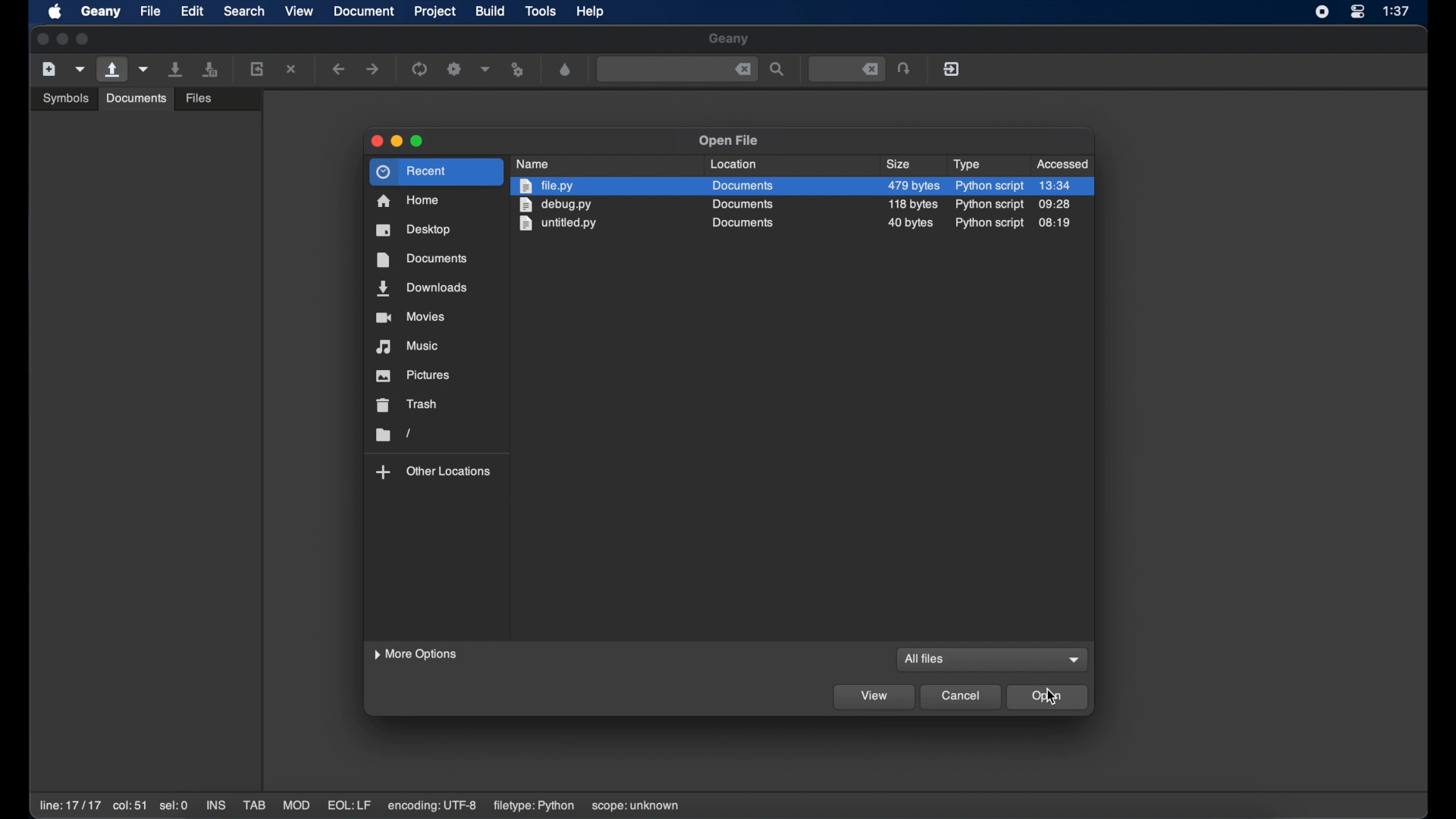 This screenshot has width=1456, height=819. What do you see at coordinates (915, 204) in the screenshot?
I see `118bhytes` at bounding box center [915, 204].